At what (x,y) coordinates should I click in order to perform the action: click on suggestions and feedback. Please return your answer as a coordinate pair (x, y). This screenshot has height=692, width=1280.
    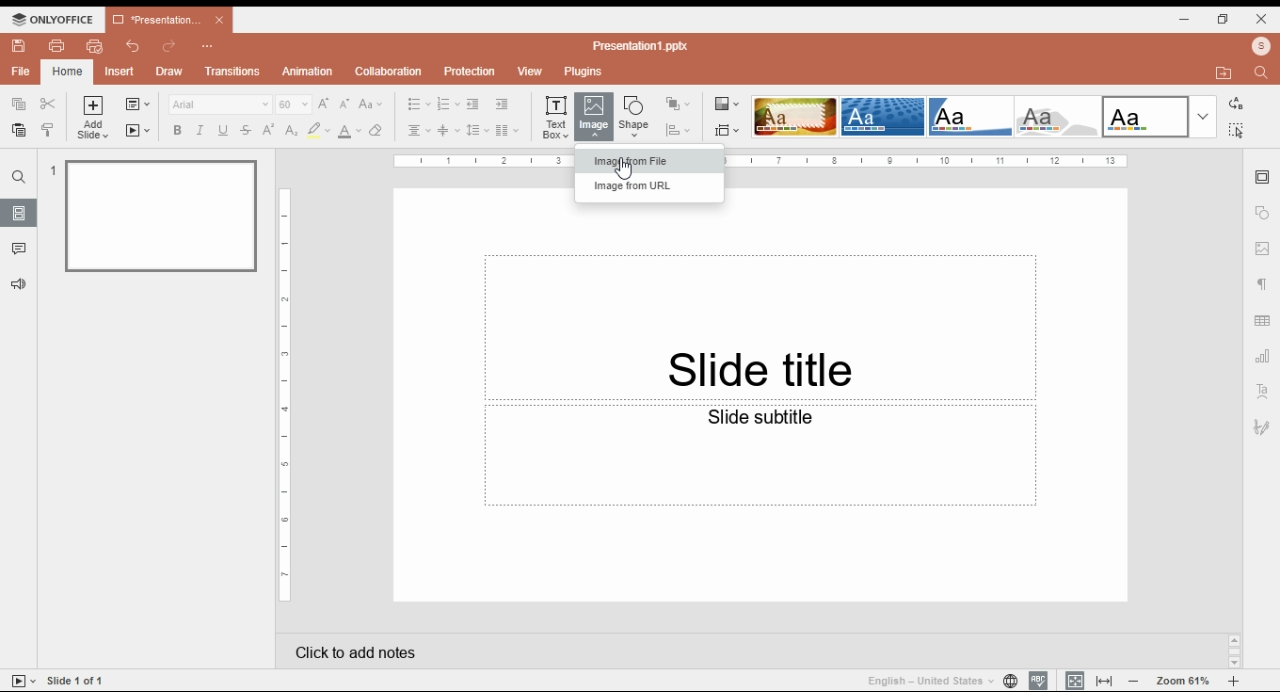
    Looking at the image, I should click on (20, 285).